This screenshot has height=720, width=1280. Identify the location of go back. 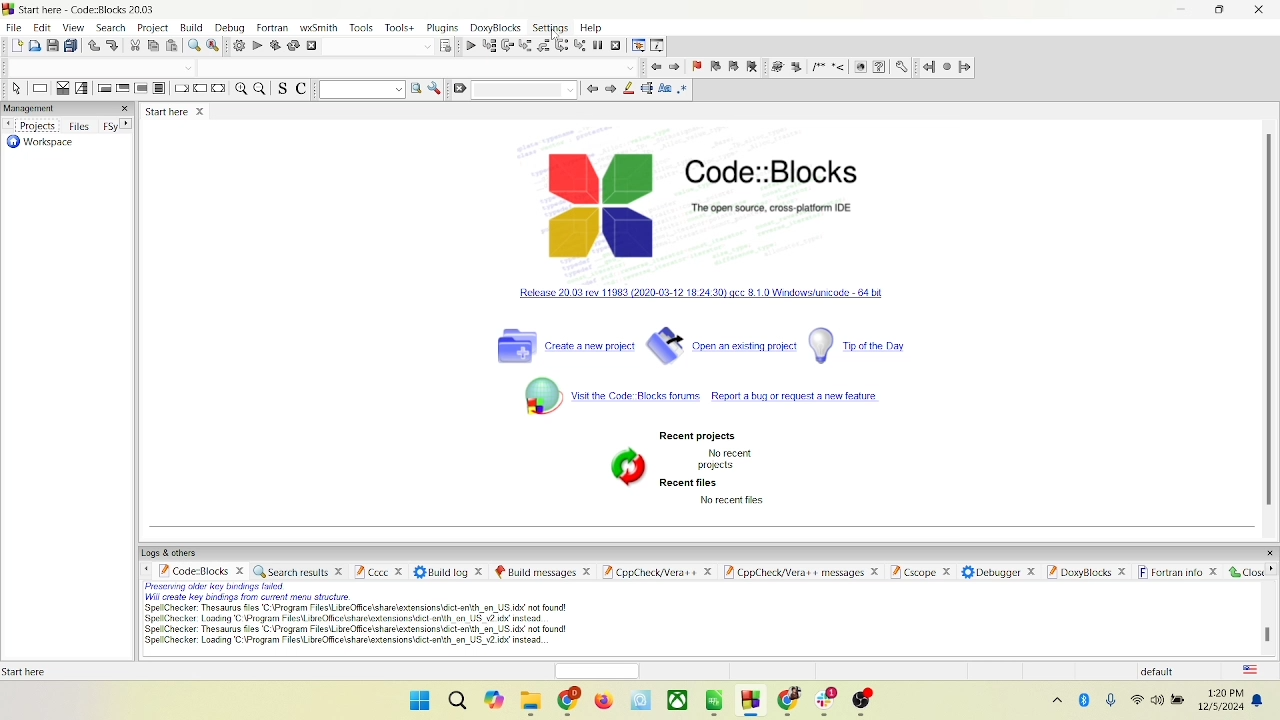
(653, 66).